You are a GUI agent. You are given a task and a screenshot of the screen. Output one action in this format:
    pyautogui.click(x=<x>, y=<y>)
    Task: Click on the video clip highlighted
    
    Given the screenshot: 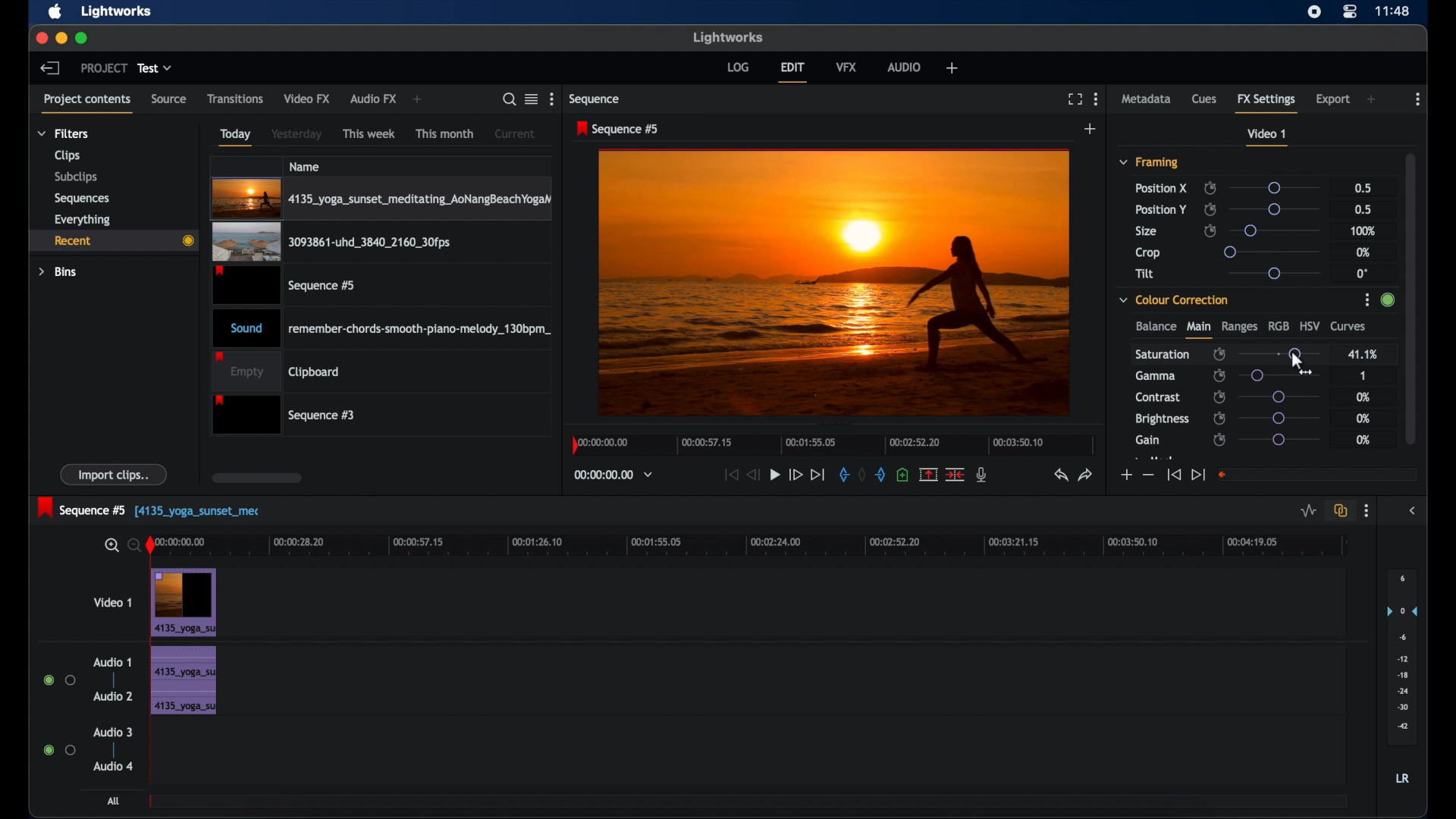 What is the action you would take?
    pyautogui.click(x=381, y=199)
    